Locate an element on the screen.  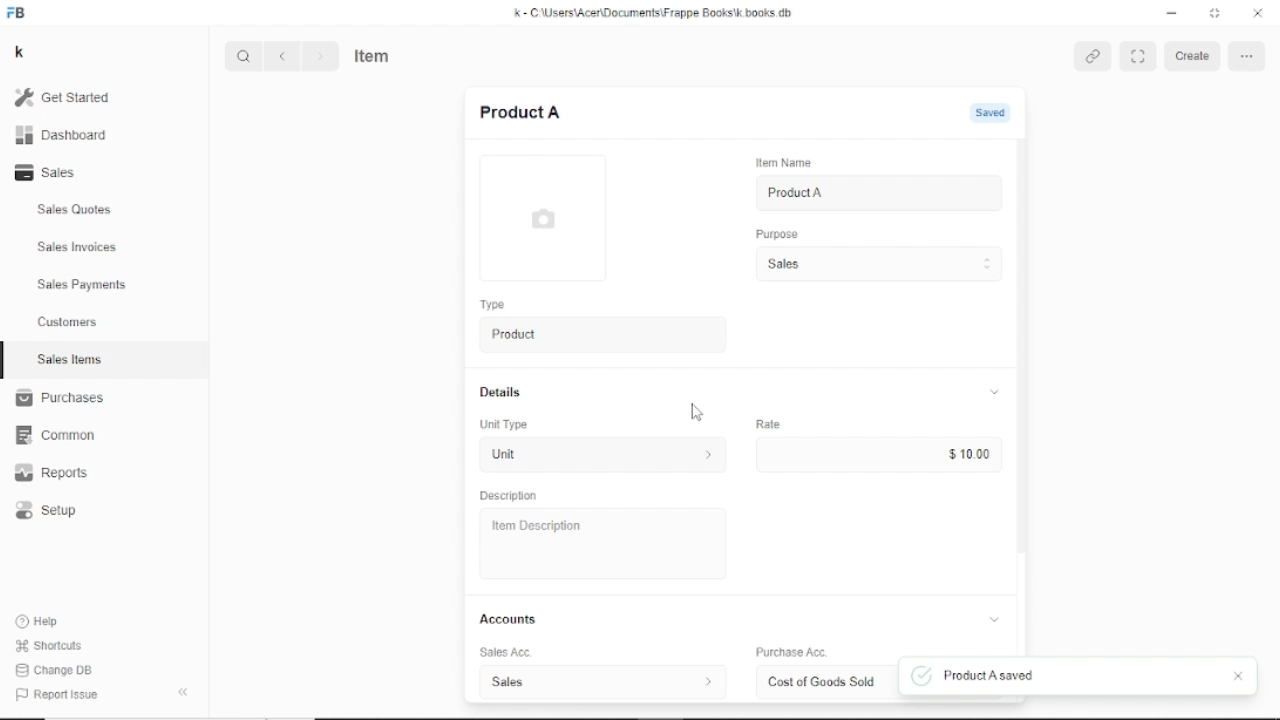
Previous is located at coordinates (282, 56).